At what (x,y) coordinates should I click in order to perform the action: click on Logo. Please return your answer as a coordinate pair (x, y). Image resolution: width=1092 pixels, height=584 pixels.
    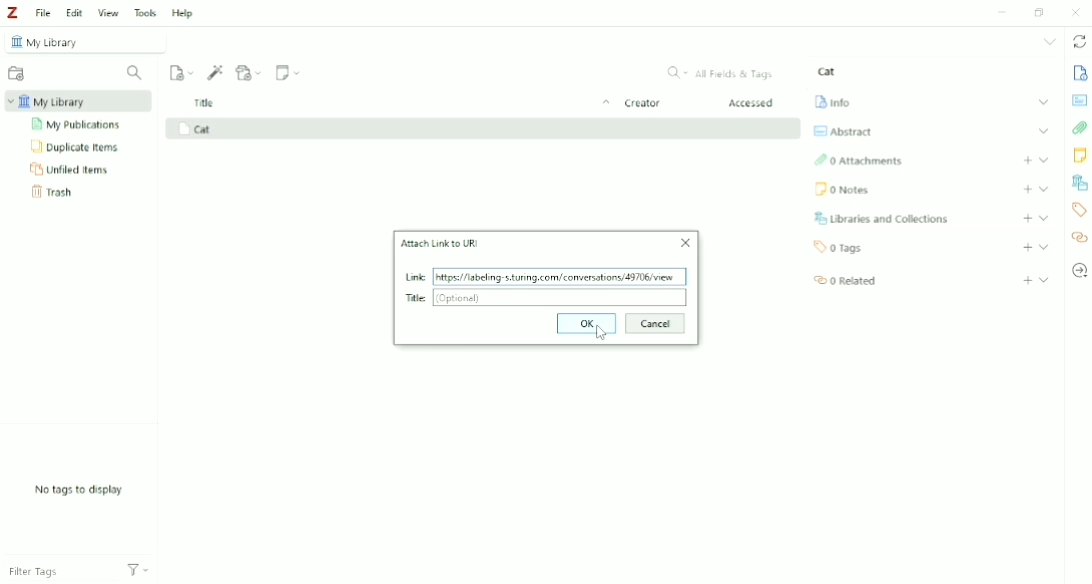
    Looking at the image, I should click on (12, 12).